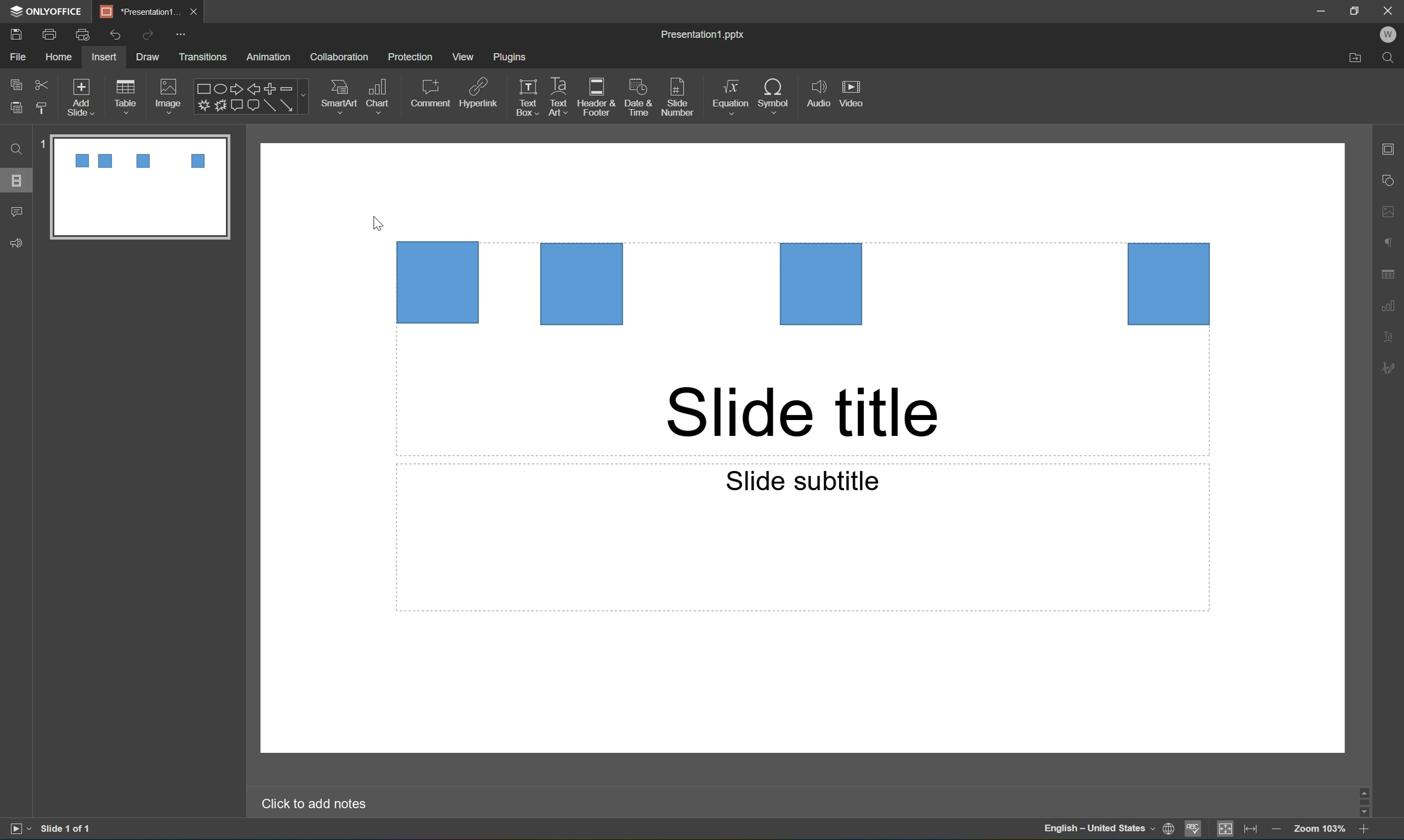 This screenshot has height=840, width=1404. Describe the element at coordinates (83, 33) in the screenshot. I see `quick print` at that location.